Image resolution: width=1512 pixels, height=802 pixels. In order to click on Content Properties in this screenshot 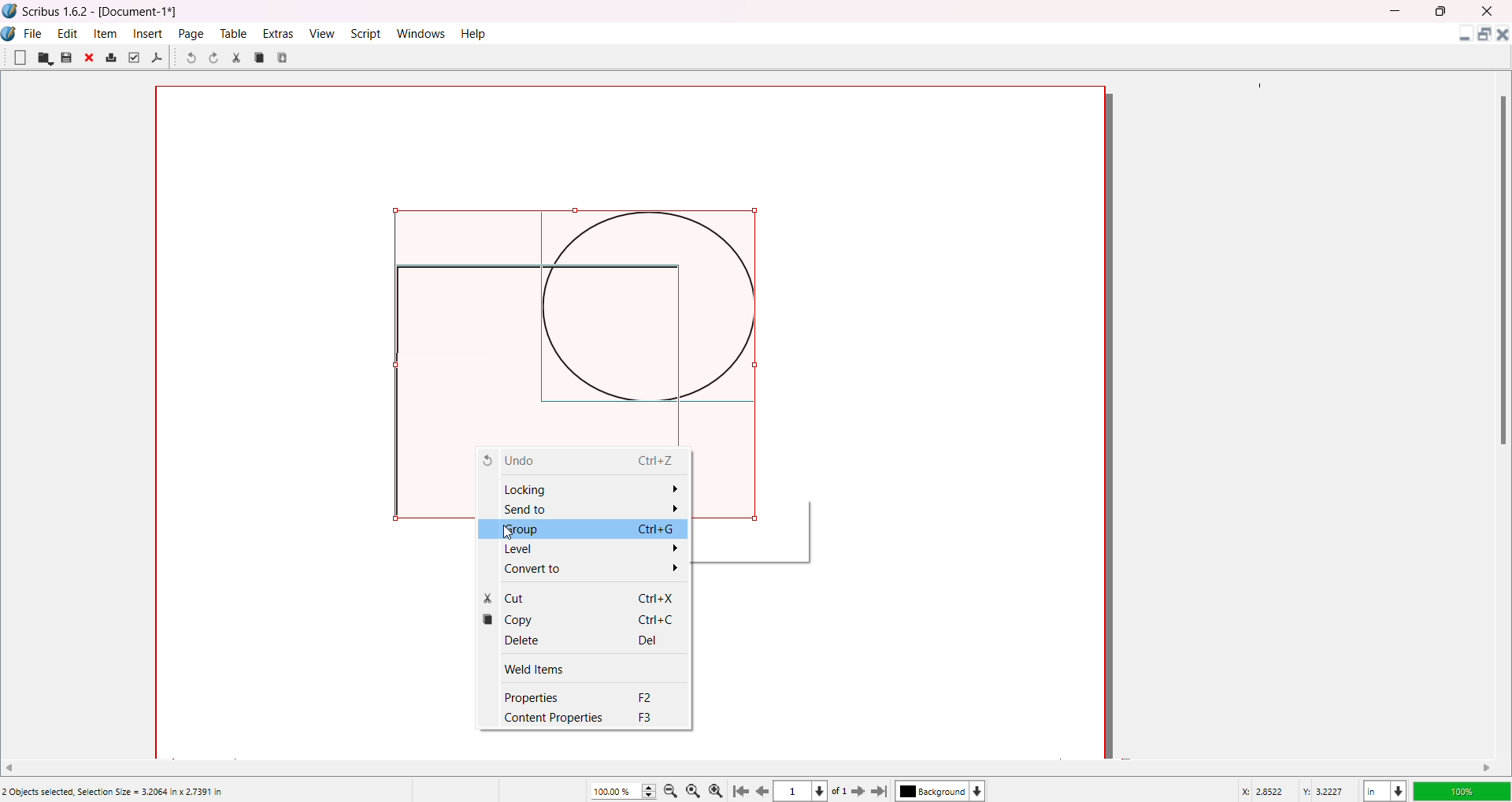, I will do `click(584, 720)`.